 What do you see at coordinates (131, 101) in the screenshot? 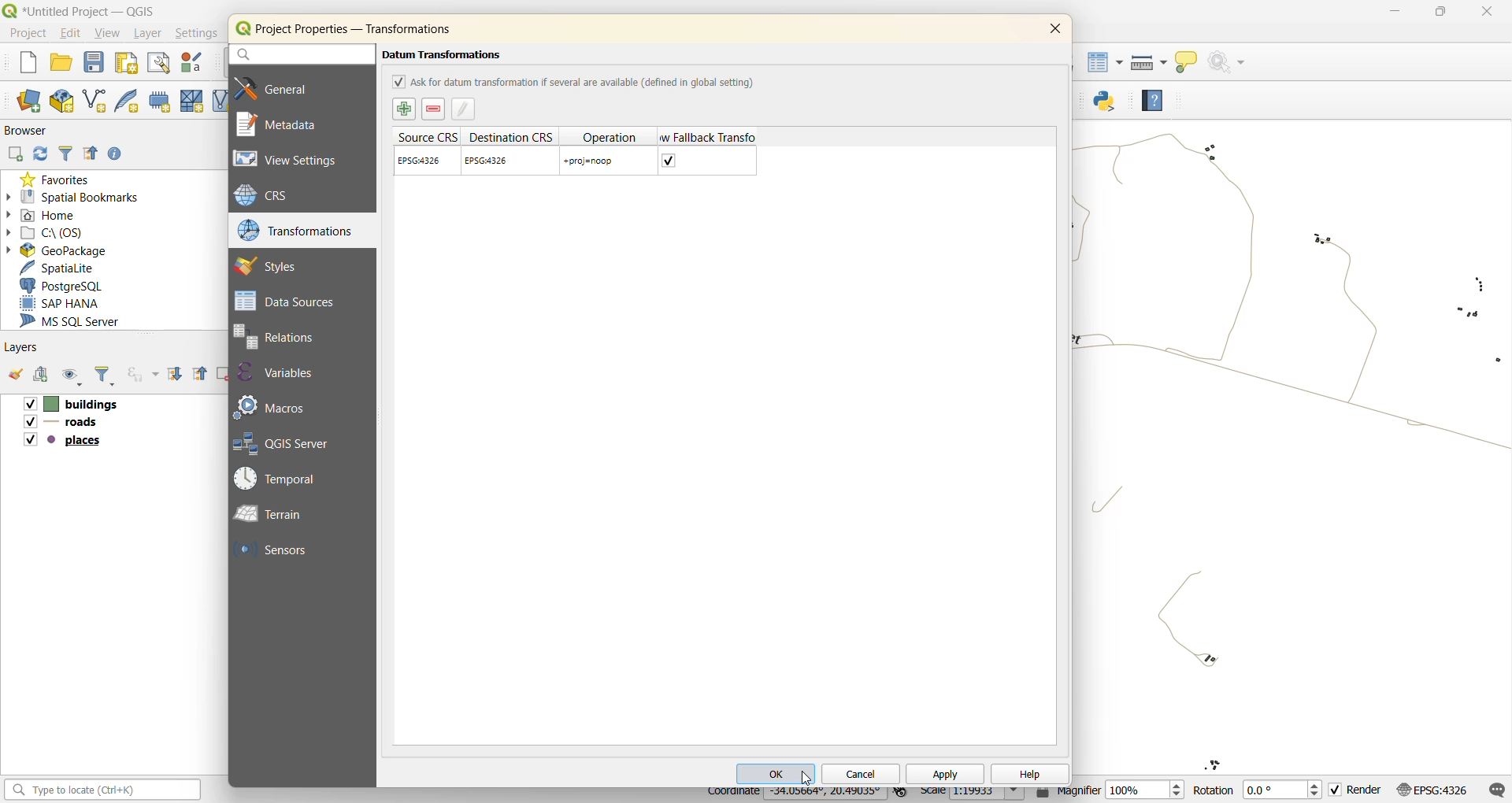
I see `new spatialite` at bounding box center [131, 101].